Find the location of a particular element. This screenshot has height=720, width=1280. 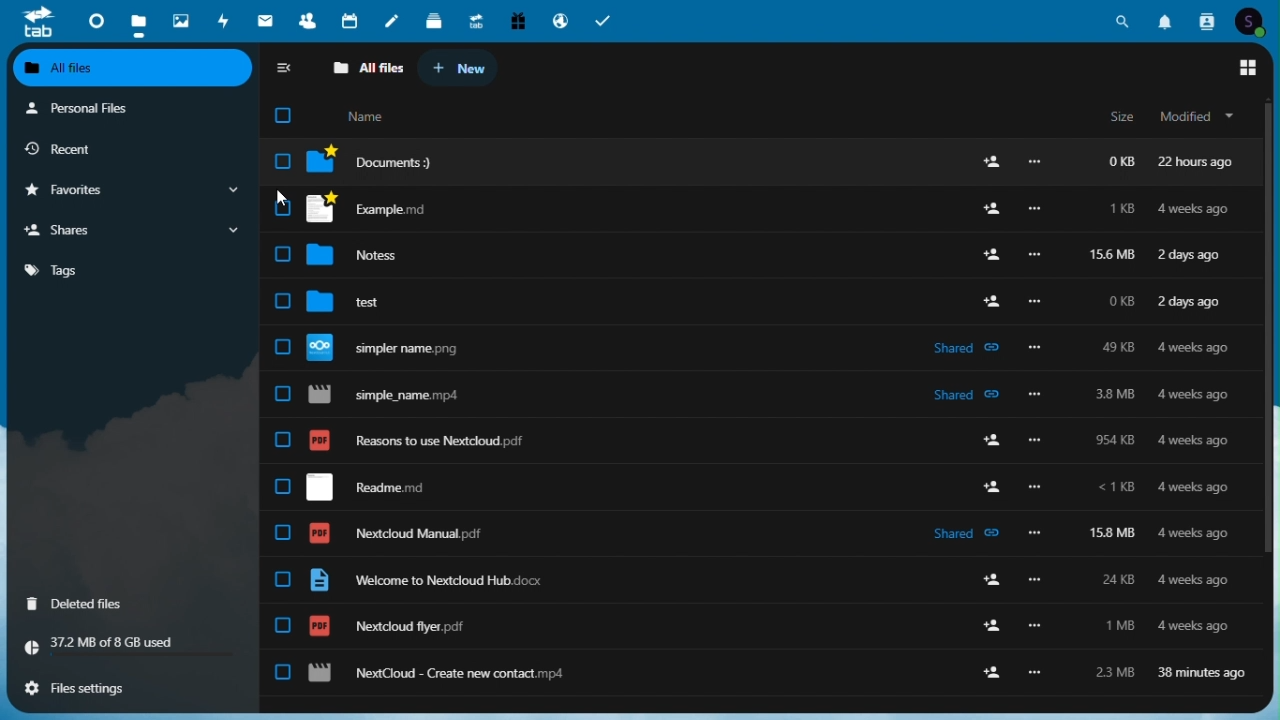

22 hours ago is located at coordinates (1203, 162).